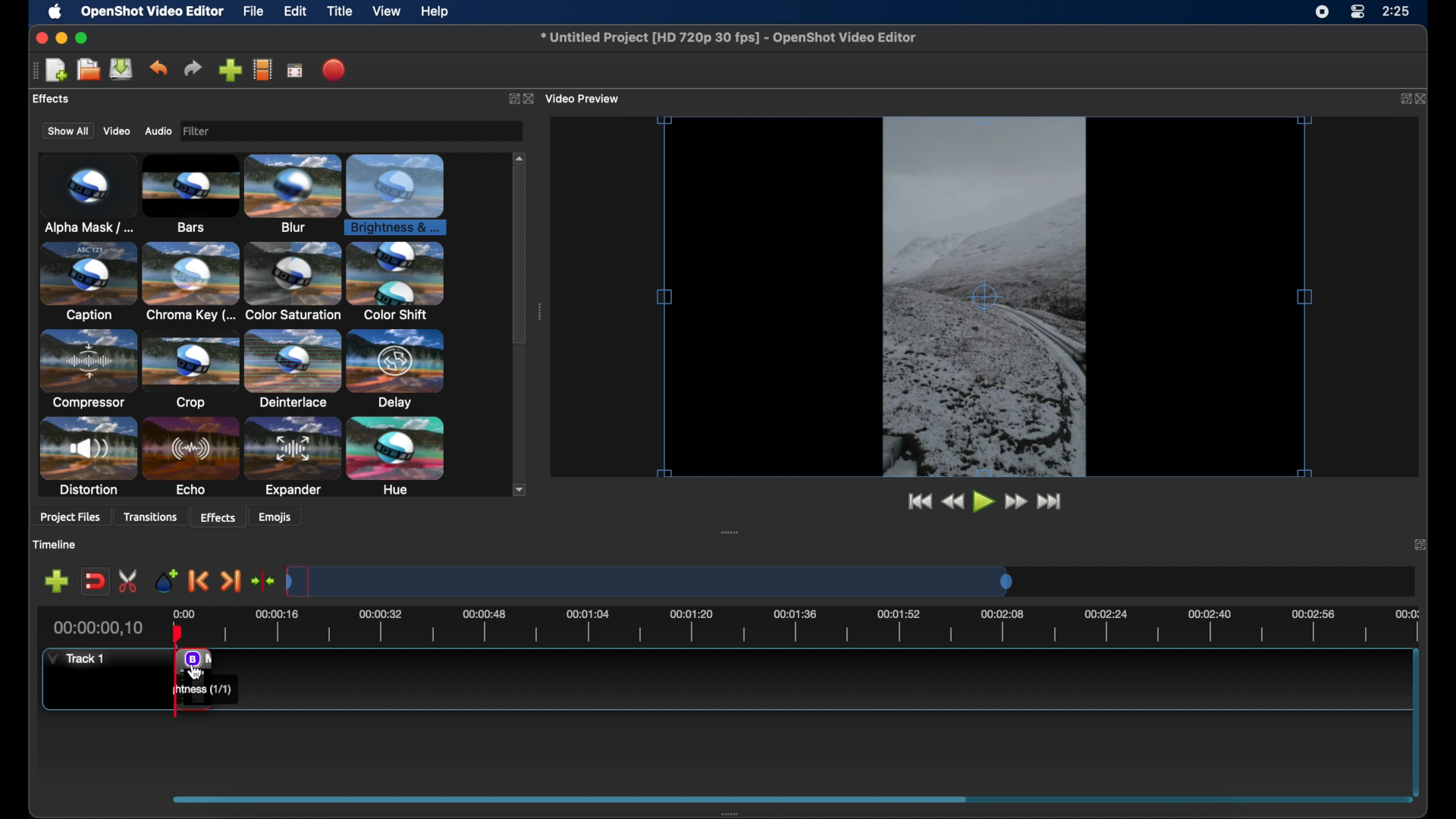  Describe the element at coordinates (399, 193) in the screenshot. I see `brightness and contrast highlighted` at that location.